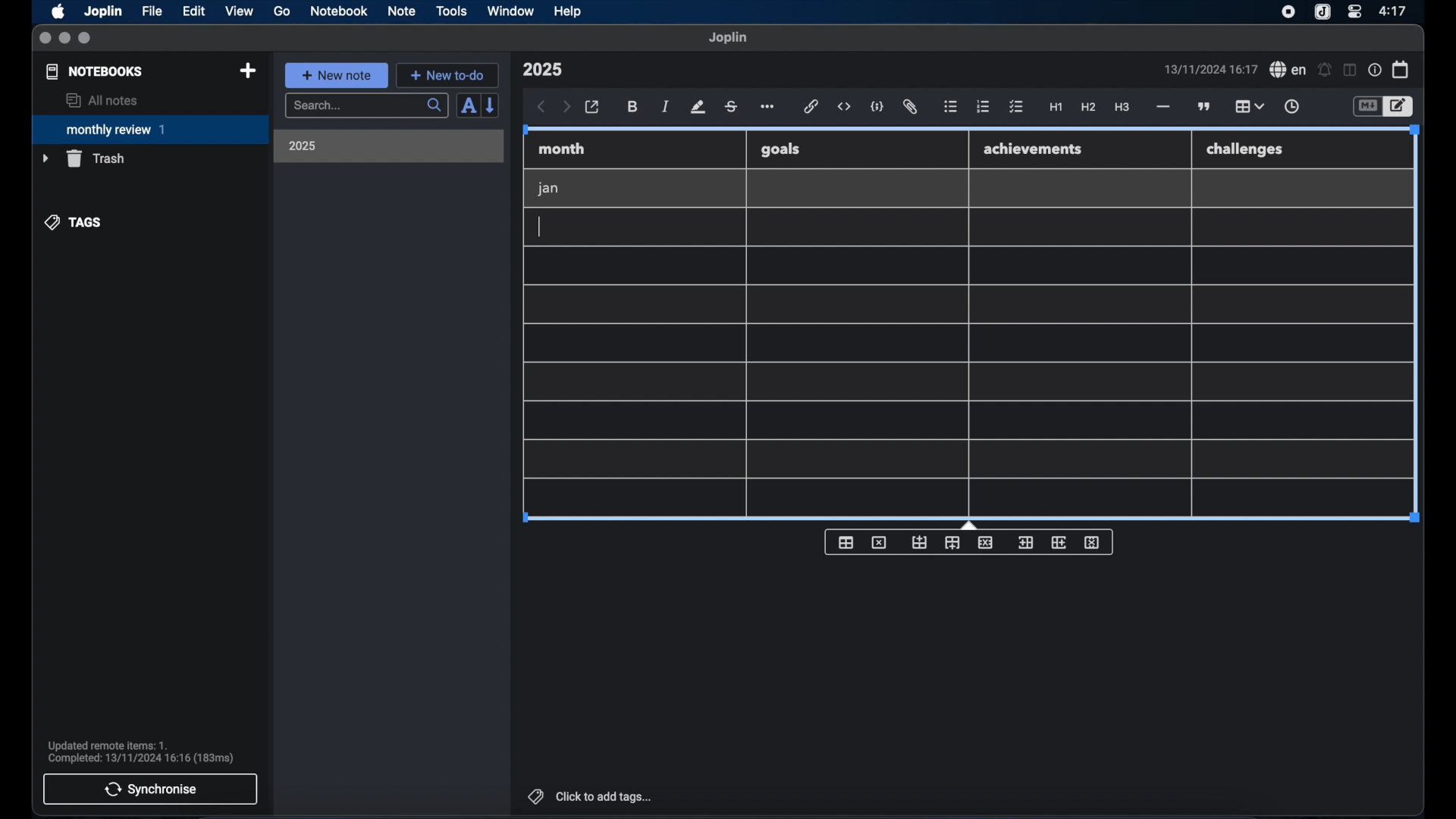  What do you see at coordinates (150, 789) in the screenshot?
I see `synchronise` at bounding box center [150, 789].